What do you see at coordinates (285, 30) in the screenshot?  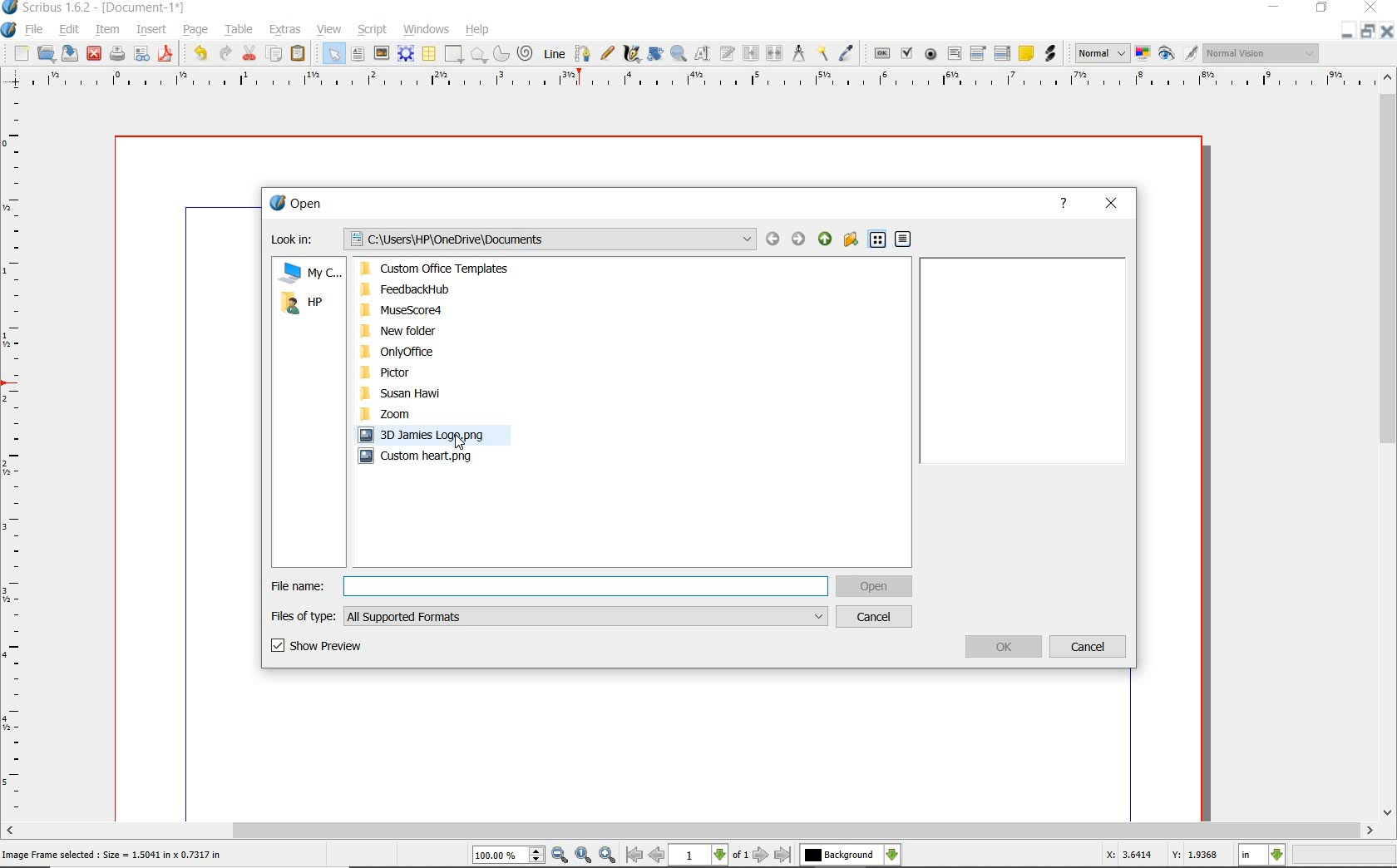 I see `extras` at bounding box center [285, 30].